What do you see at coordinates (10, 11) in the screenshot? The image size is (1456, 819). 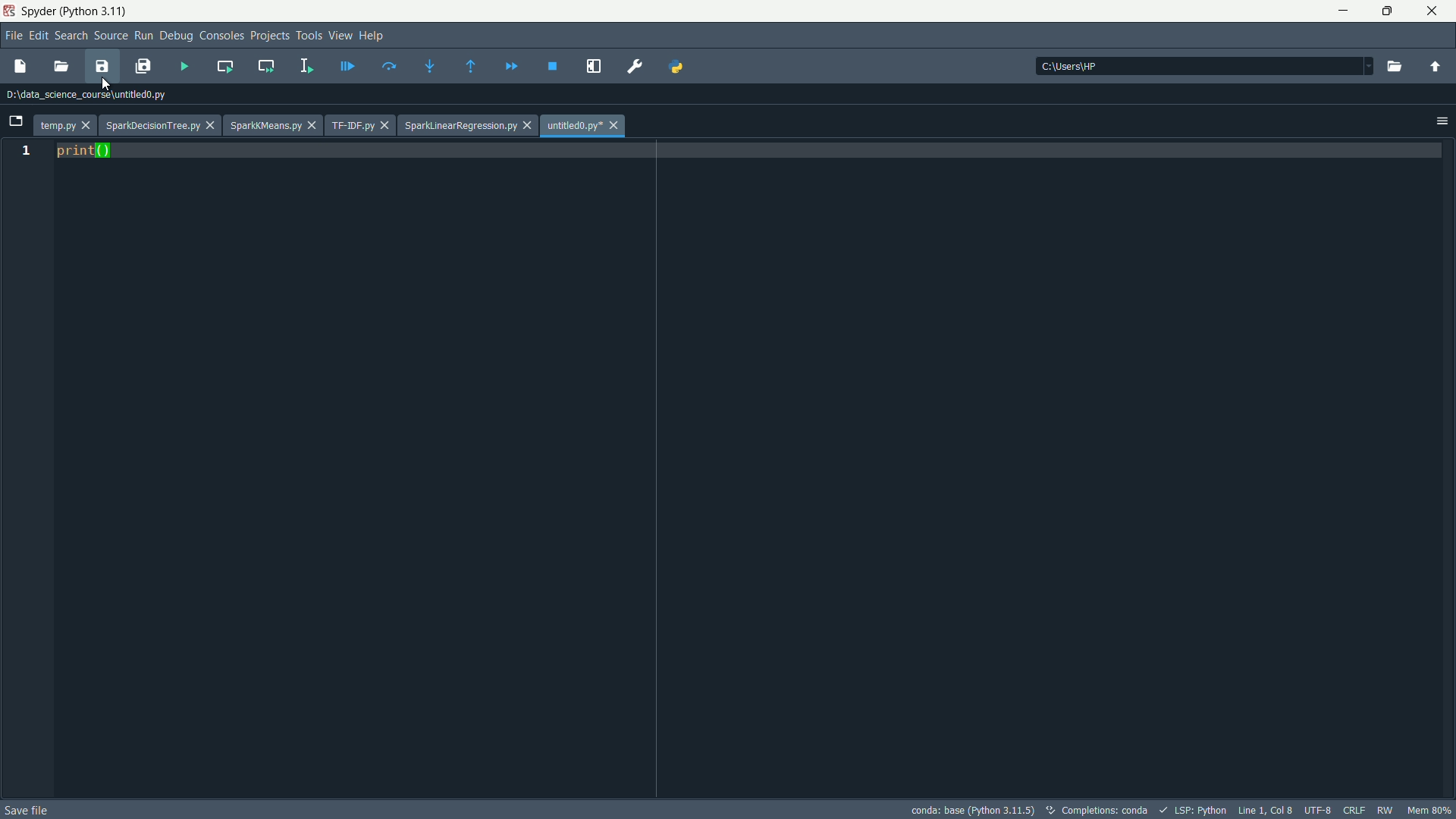 I see `App icon` at bounding box center [10, 11].